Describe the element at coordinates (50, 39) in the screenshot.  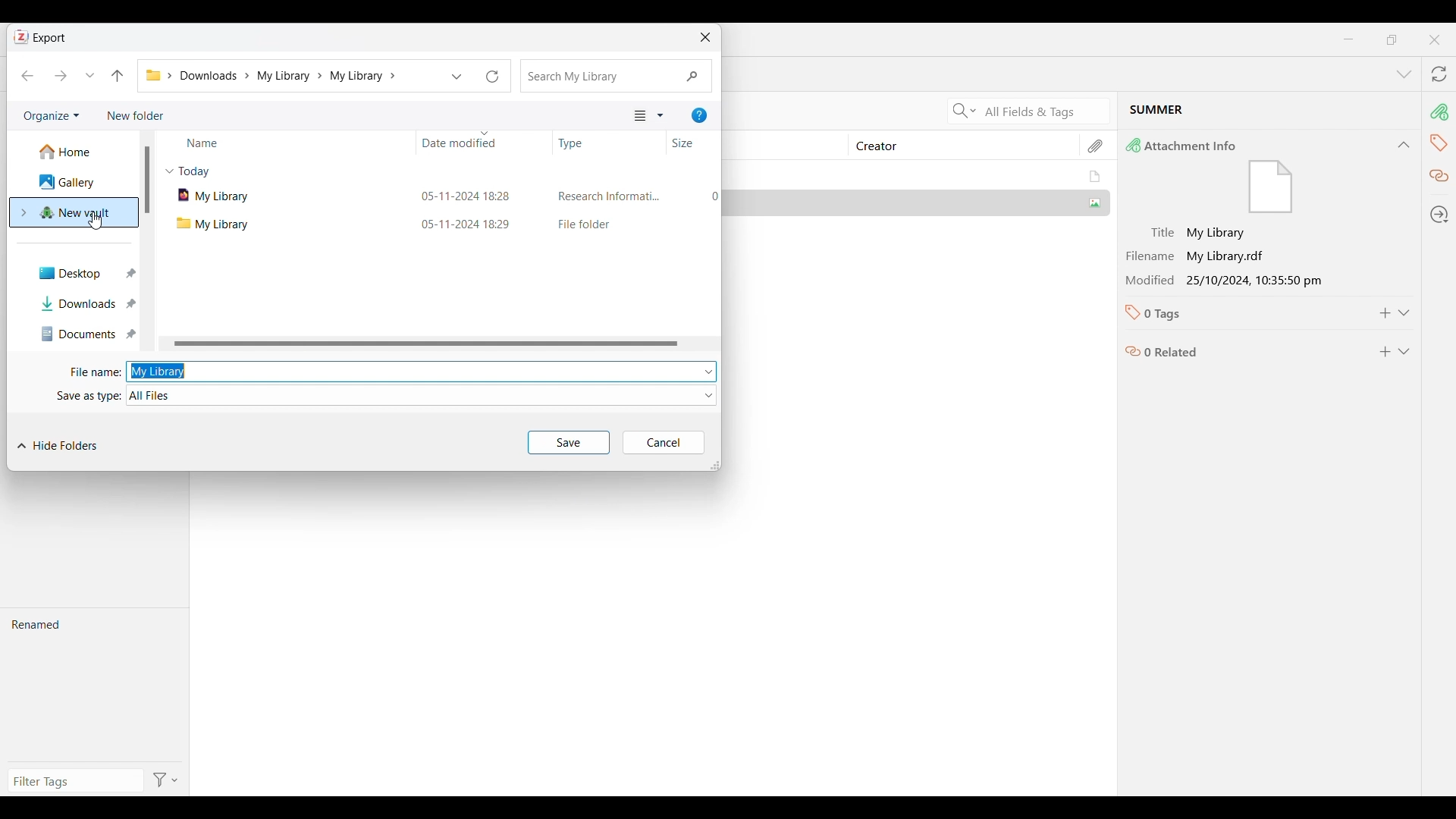
I see `Export` at that location.